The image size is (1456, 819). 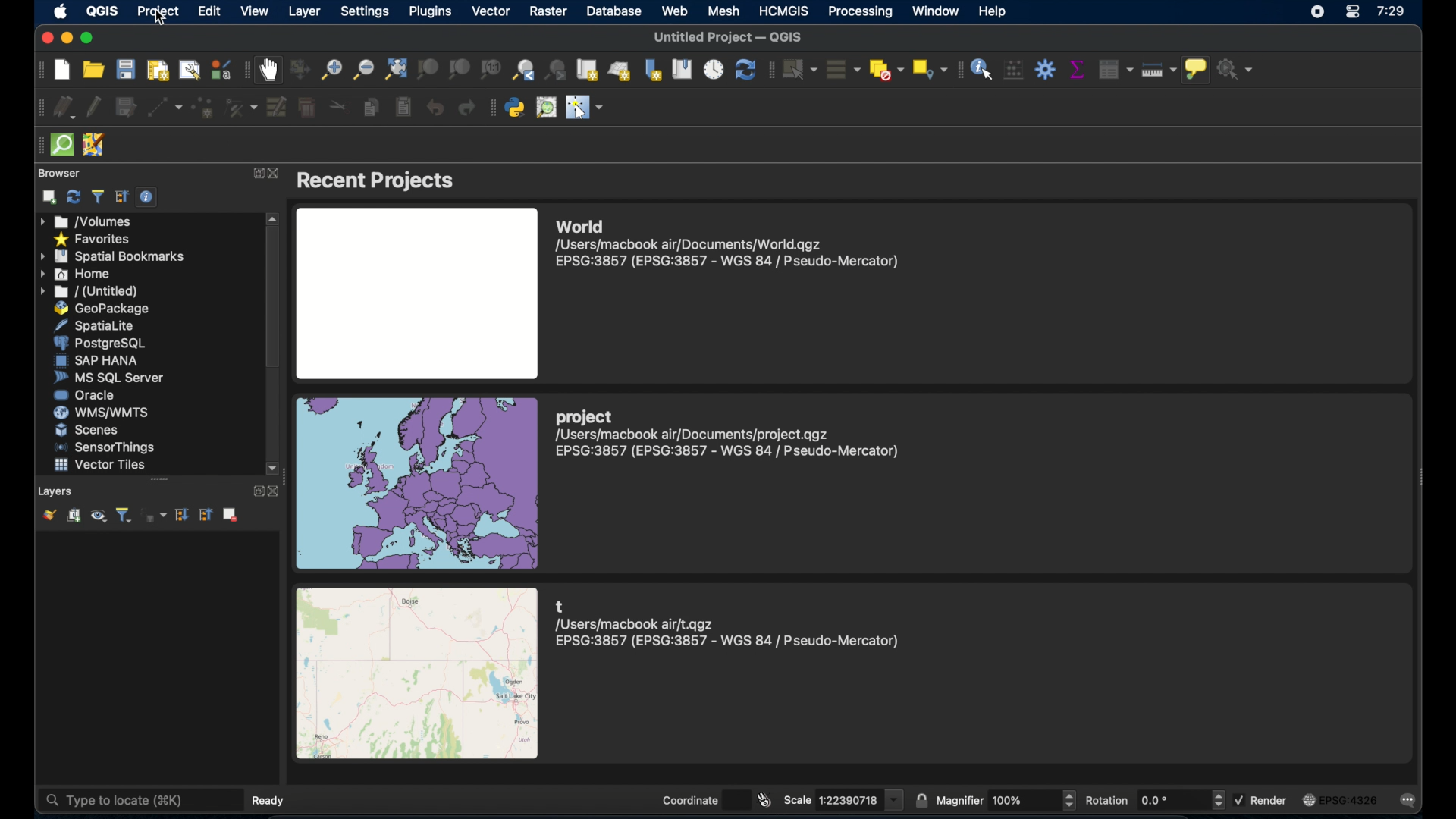 I want to click on open project, so click(x=93, y=70).